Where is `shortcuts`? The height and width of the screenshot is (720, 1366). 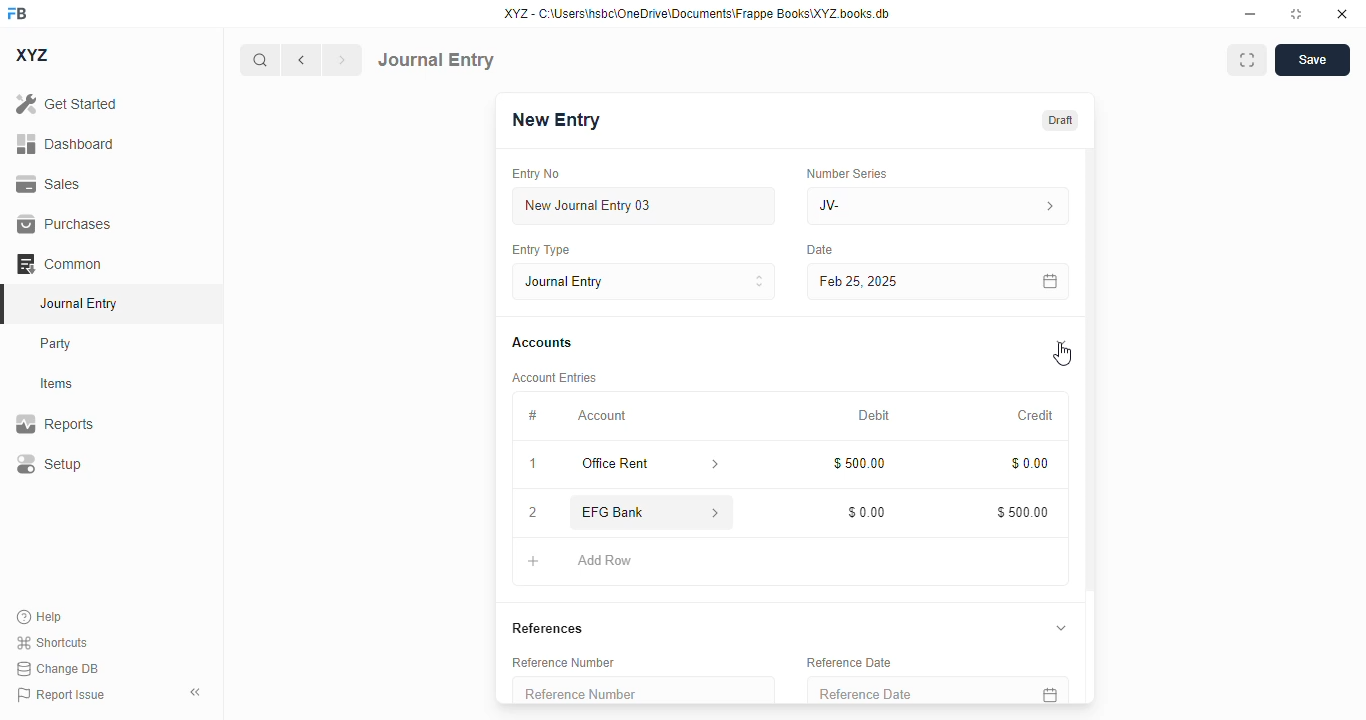
shortcuts is located at coordinates (51, 642).